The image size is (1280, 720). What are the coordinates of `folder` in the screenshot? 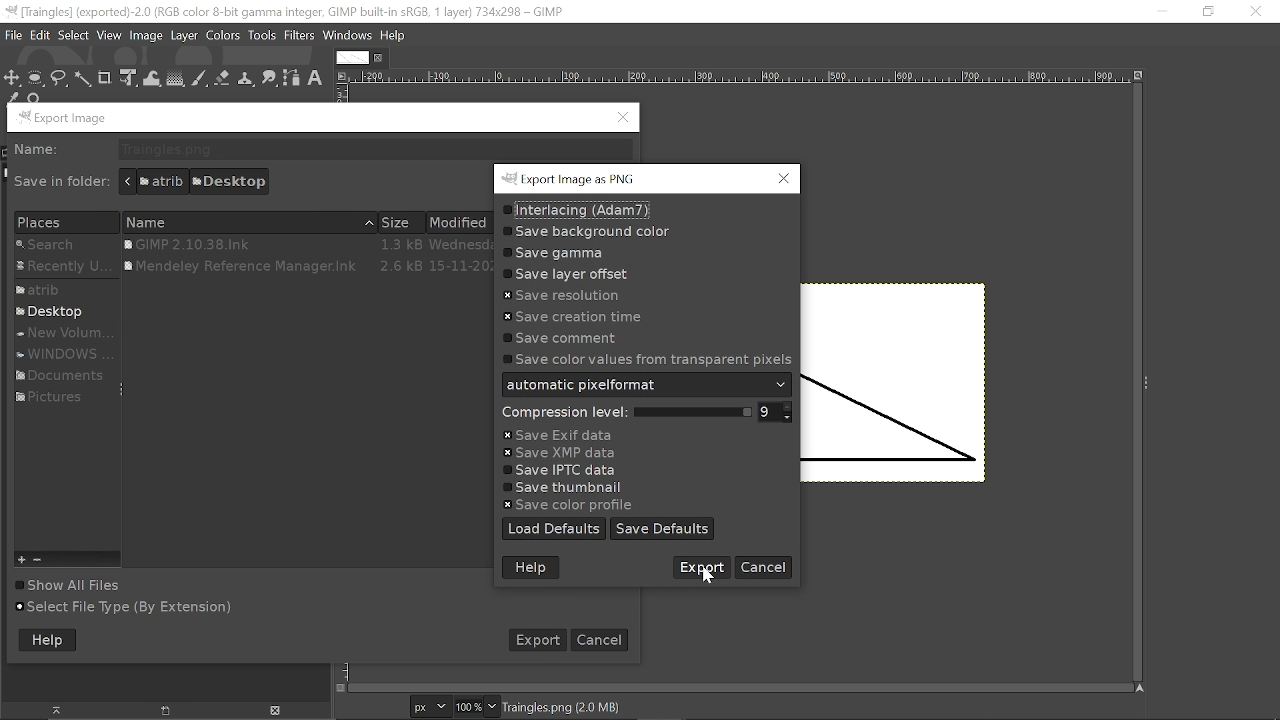 It's located at (58, 313).